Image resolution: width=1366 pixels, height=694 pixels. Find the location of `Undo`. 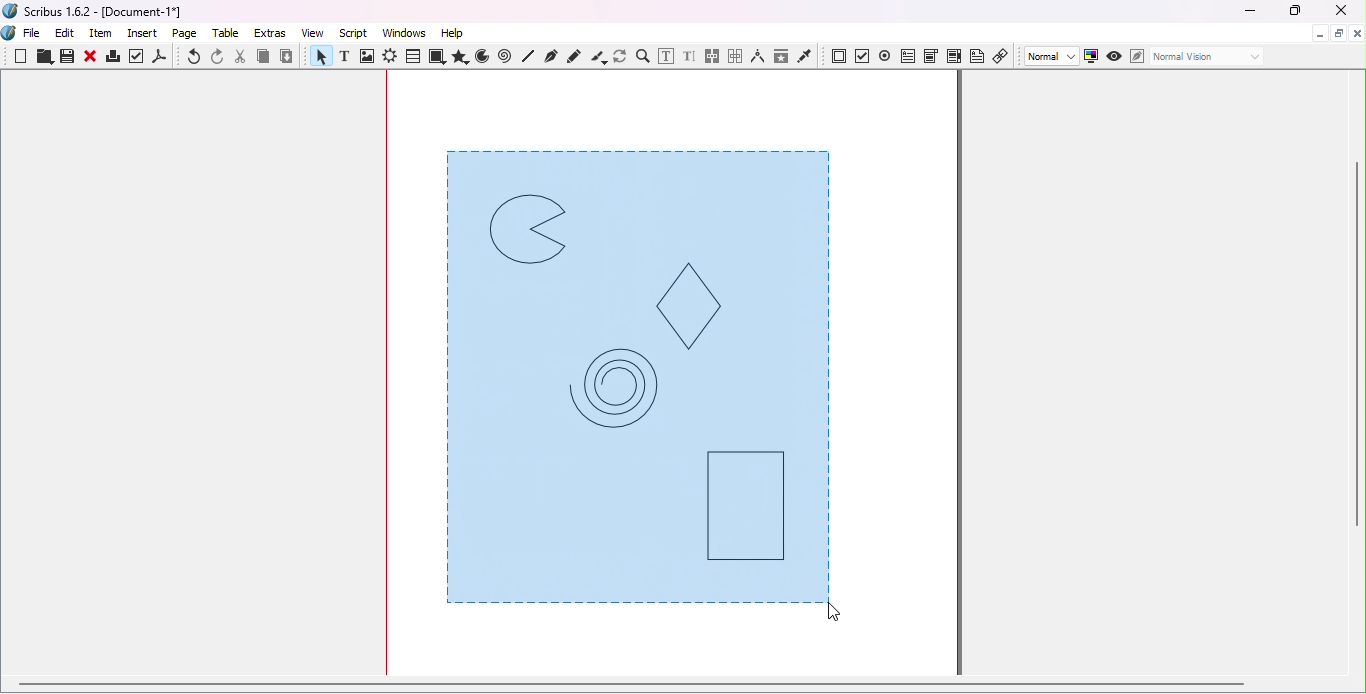

Undo is located at coordinates (195, 58).